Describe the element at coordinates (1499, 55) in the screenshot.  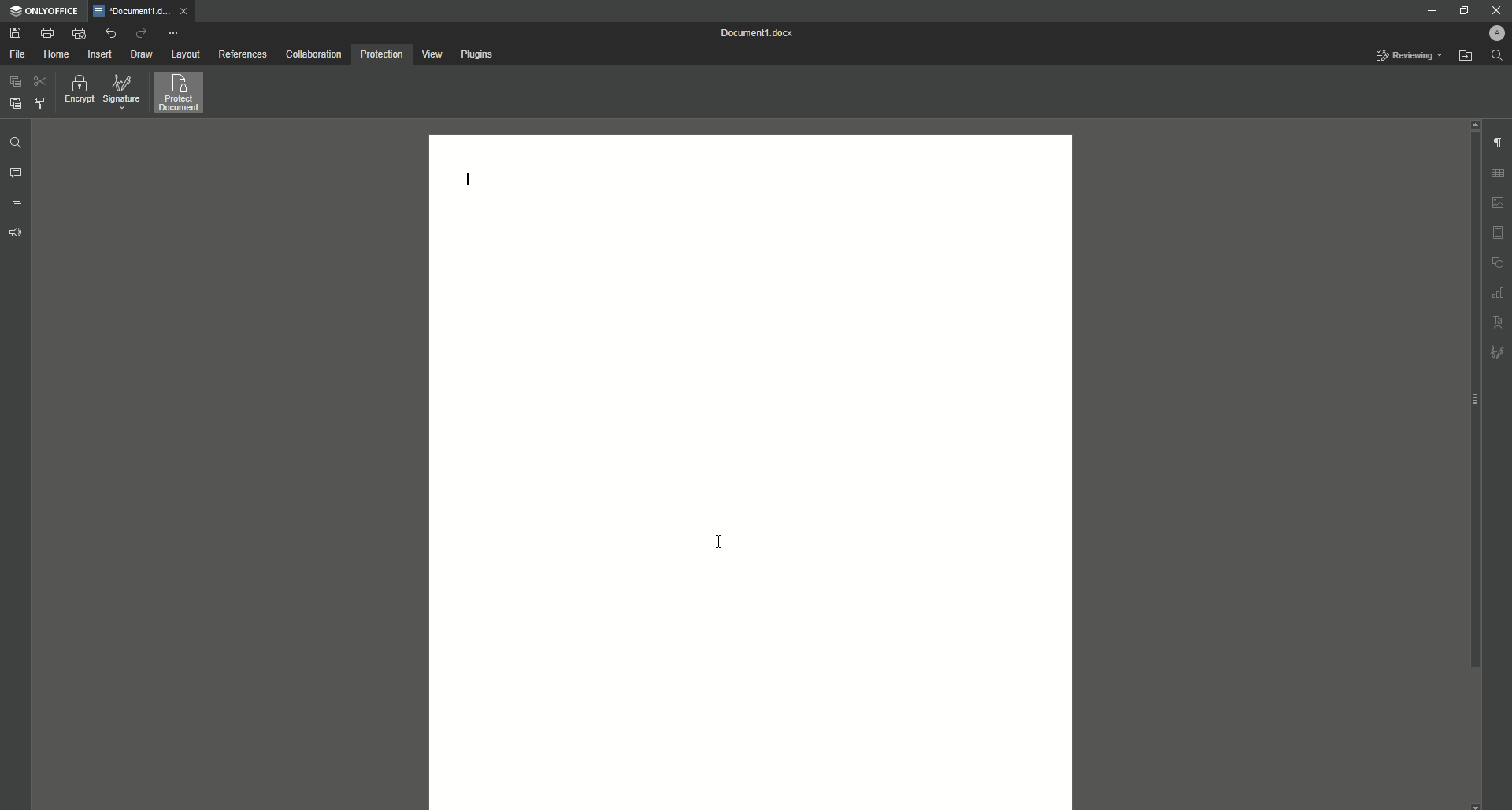
I see `Find` at that location.